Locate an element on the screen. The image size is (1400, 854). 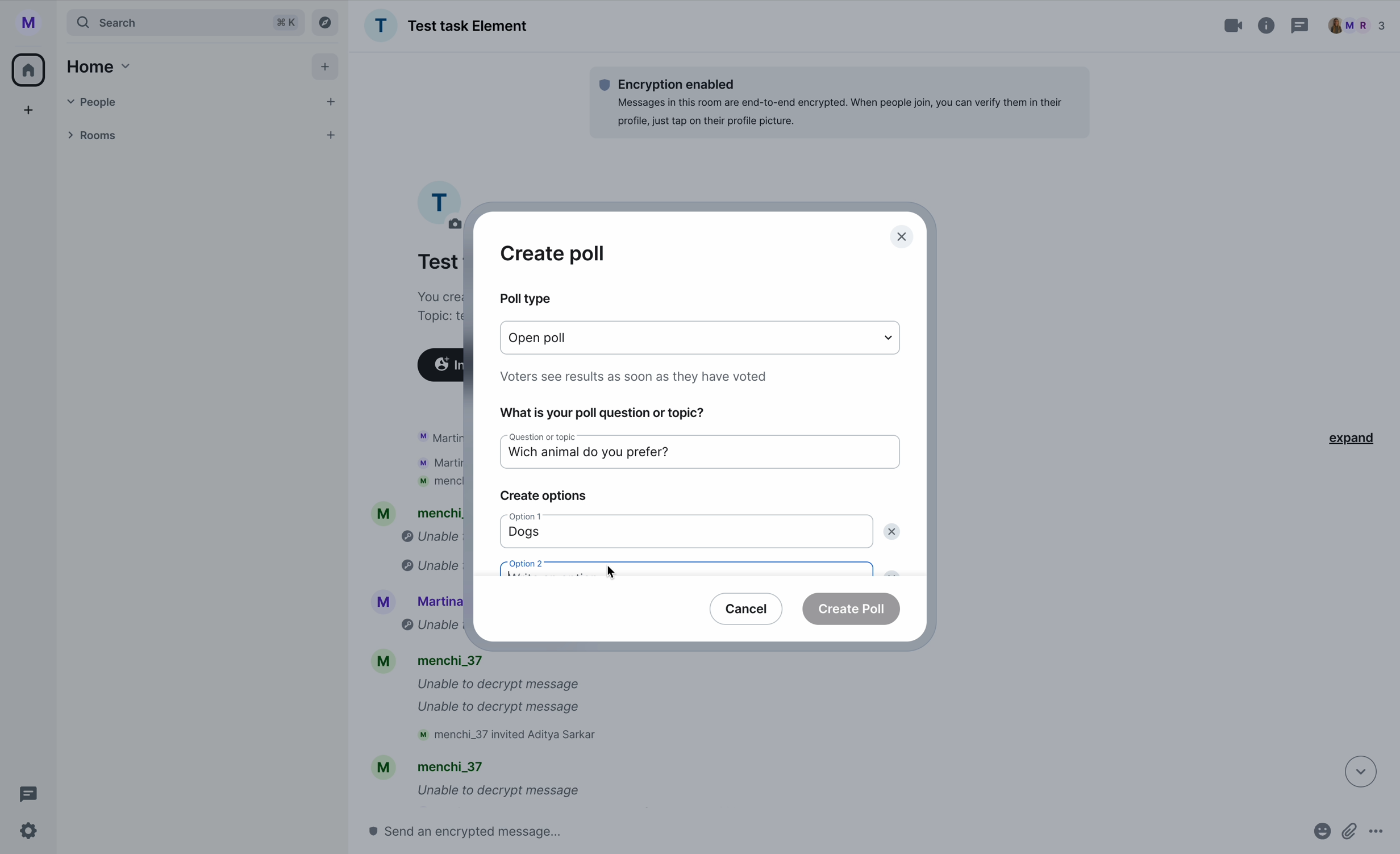
home is located at coordinates (96, 66).